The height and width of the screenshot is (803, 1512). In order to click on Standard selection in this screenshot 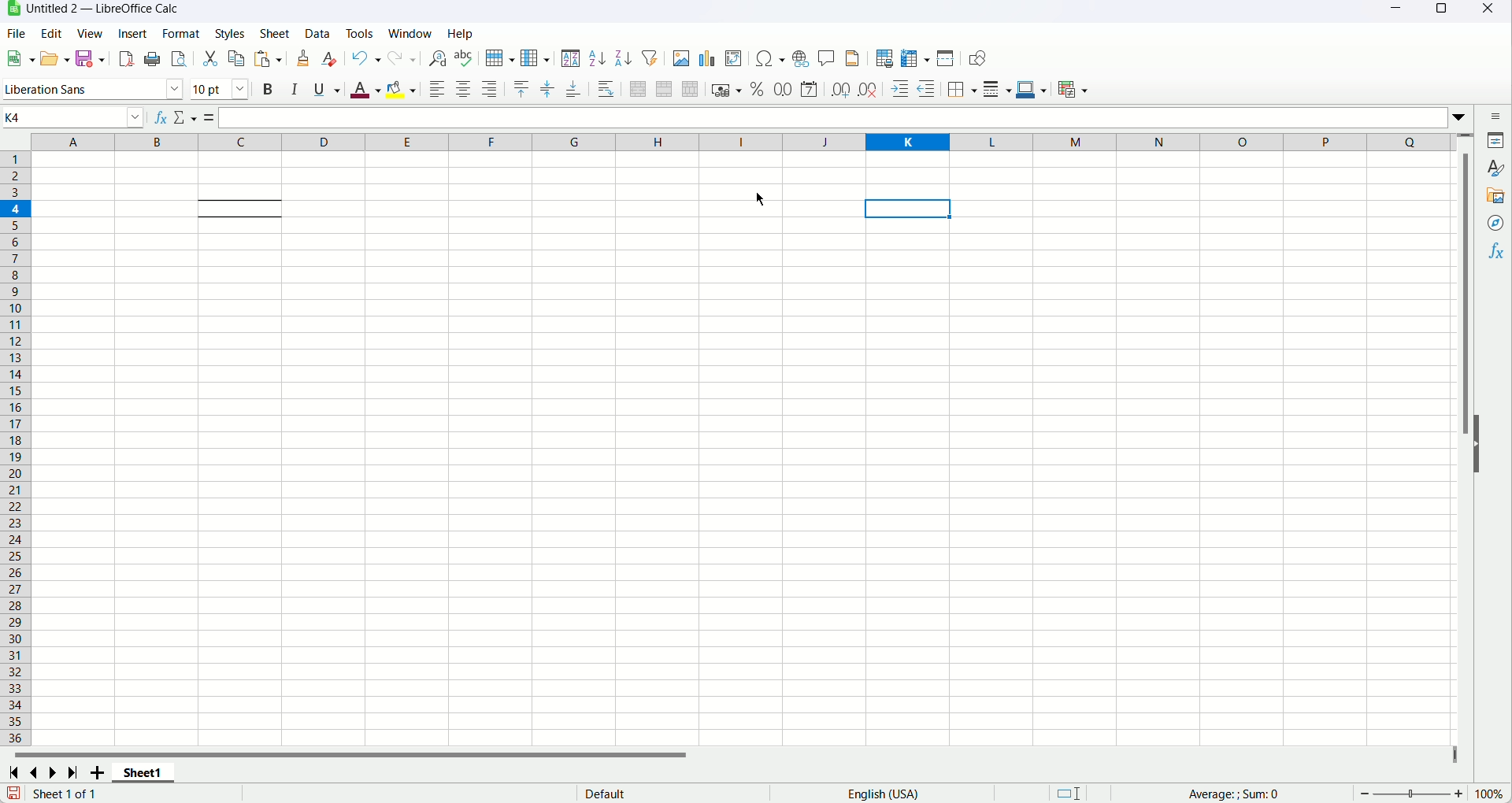, I will do `click(1067, 793)`.